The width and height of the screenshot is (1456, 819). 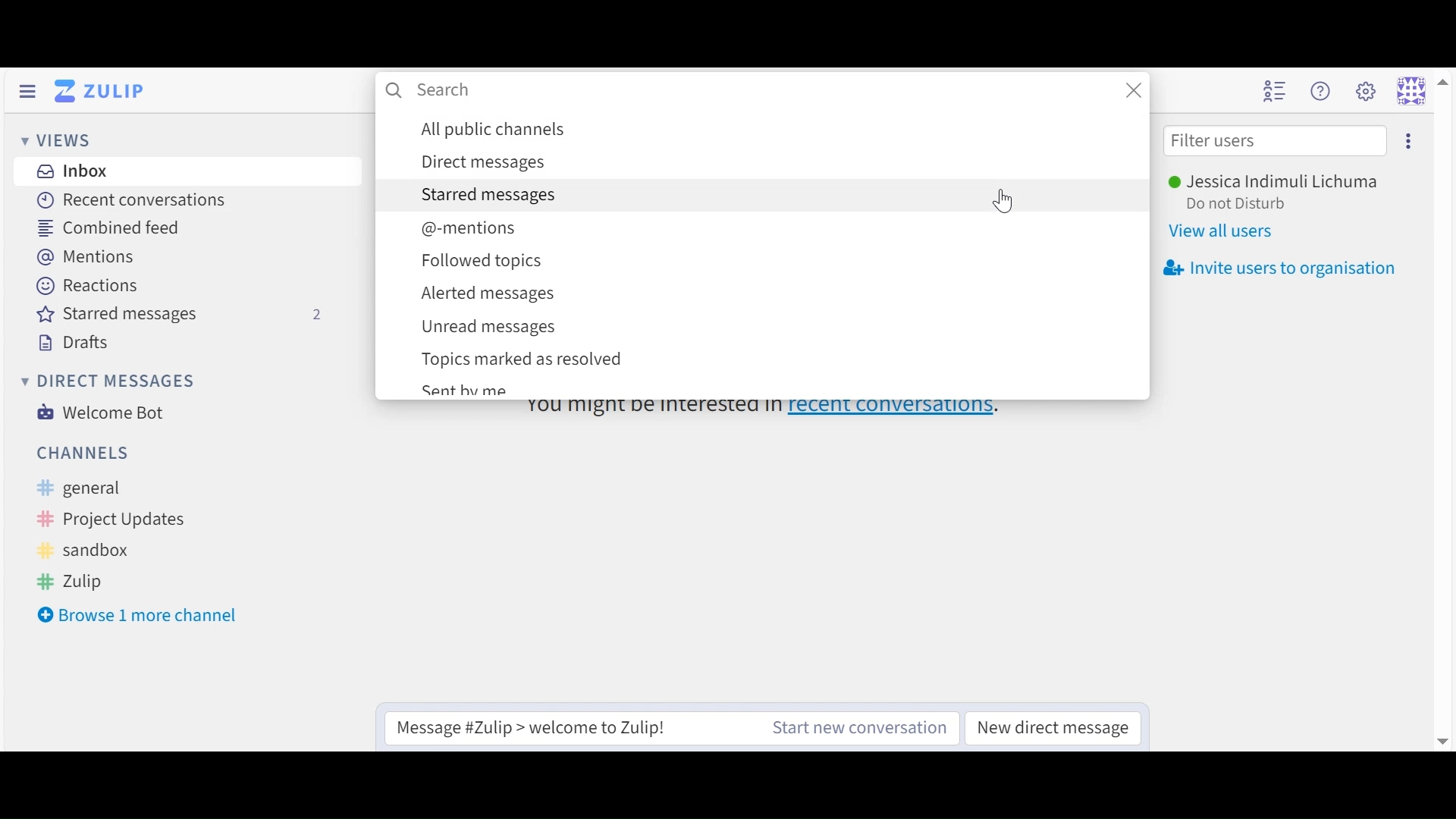 I want to click on Starred messages, so click(x=698, y=195).